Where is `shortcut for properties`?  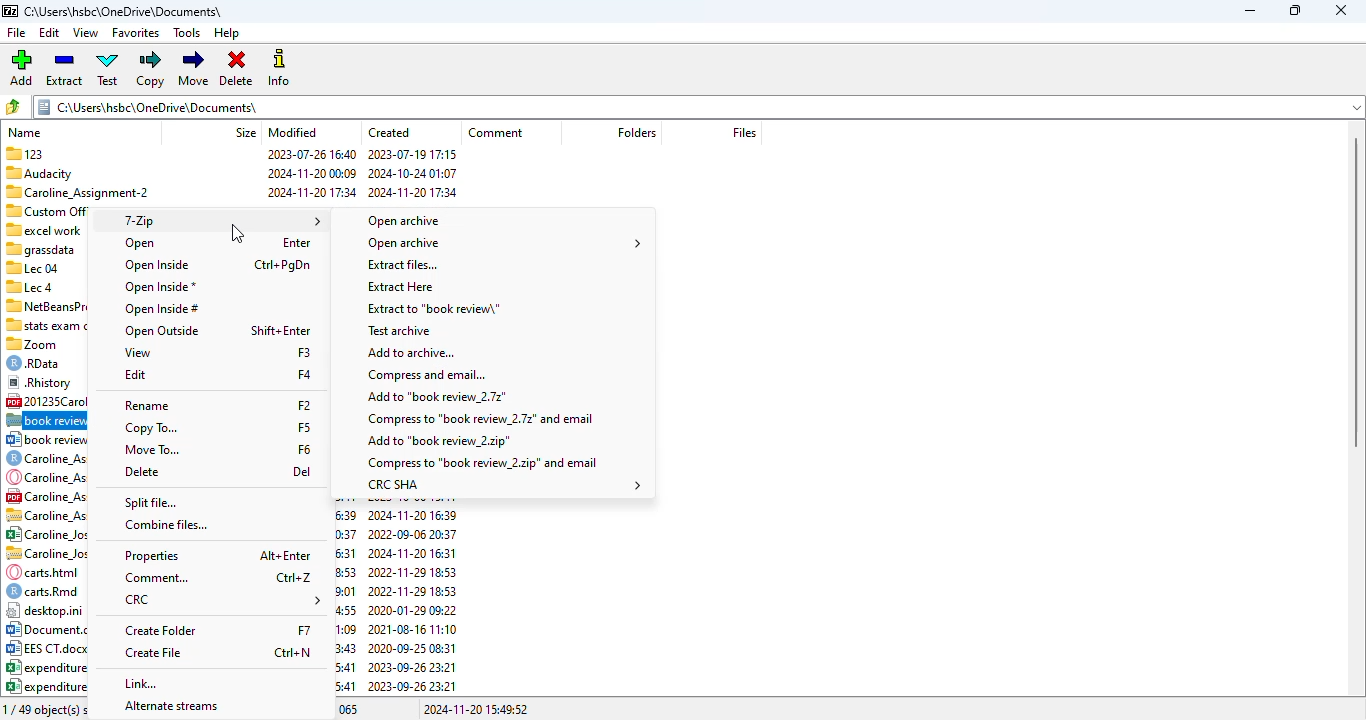 shortcut for properties is located at coordinates (285, 555).